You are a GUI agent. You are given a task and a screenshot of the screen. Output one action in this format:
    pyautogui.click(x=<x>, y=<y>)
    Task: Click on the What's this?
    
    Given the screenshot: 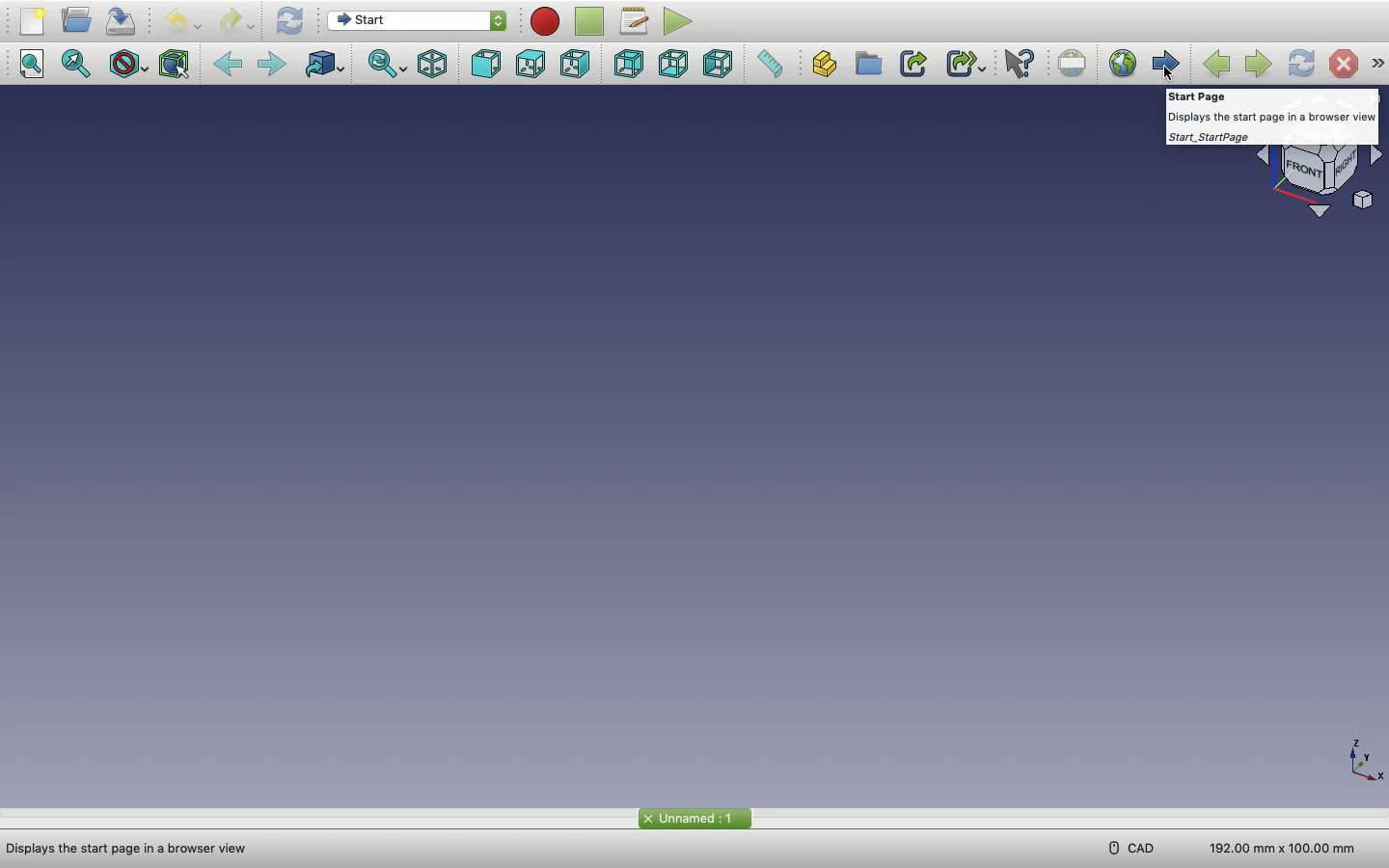 What is the action you would take?
    pyautogui.click(x=1018, y=65)
    